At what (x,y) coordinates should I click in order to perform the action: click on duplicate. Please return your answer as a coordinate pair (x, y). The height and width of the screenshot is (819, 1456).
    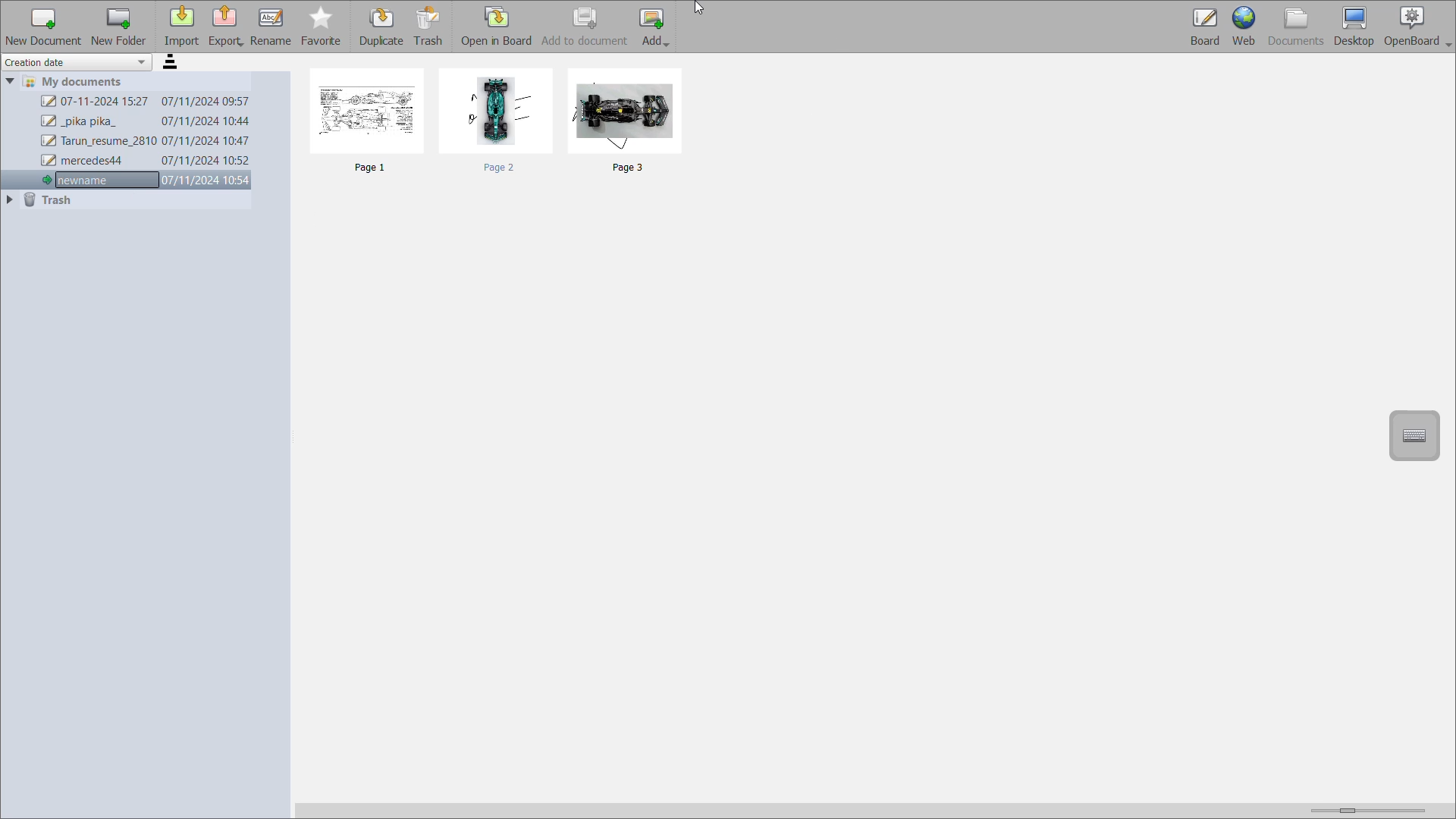
    Looking at the image, I should click on (383, 27).